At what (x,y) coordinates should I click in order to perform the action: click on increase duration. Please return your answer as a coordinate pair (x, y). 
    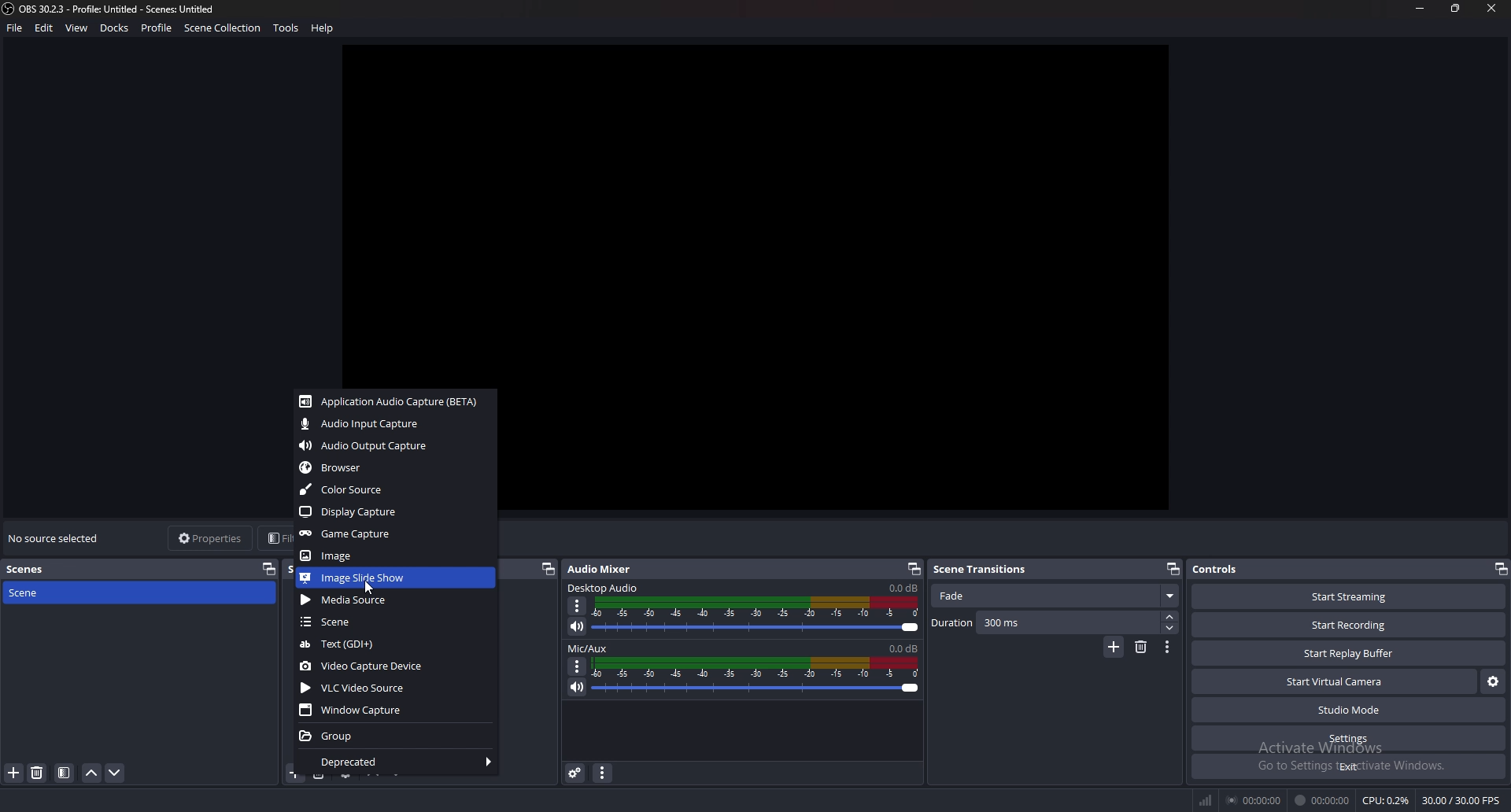
    Looking at the image, I should click on (1169, 617).